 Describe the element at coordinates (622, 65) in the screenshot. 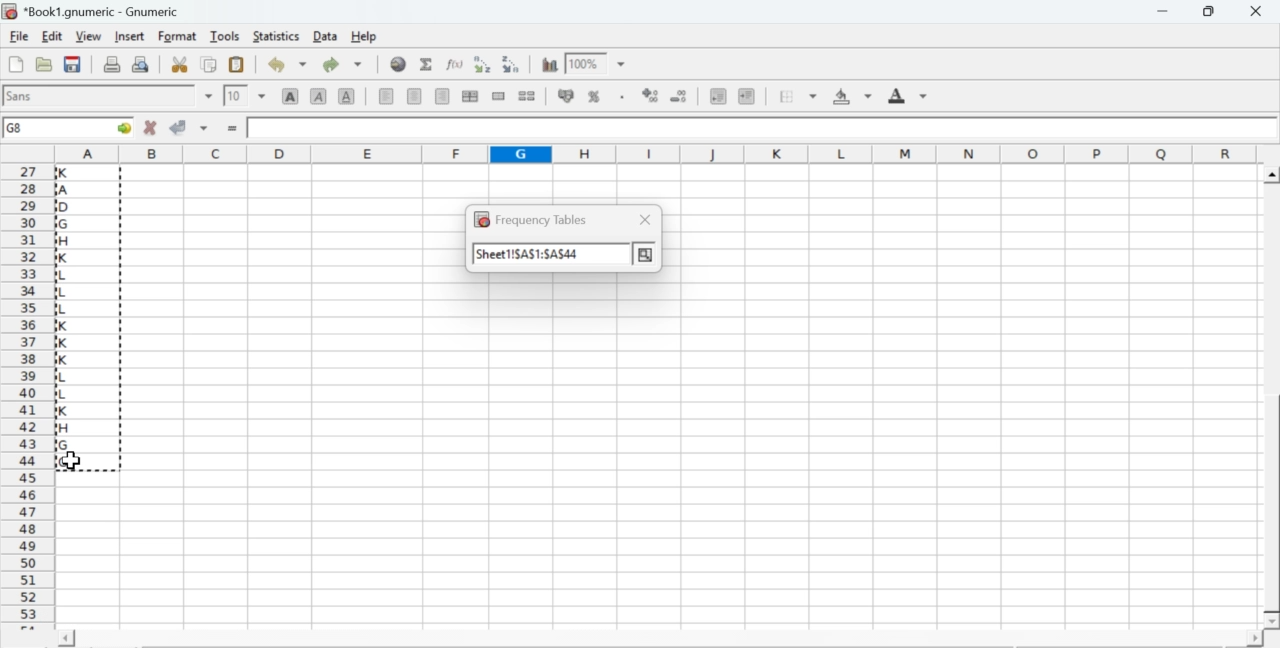

I see `drop down` at that location.